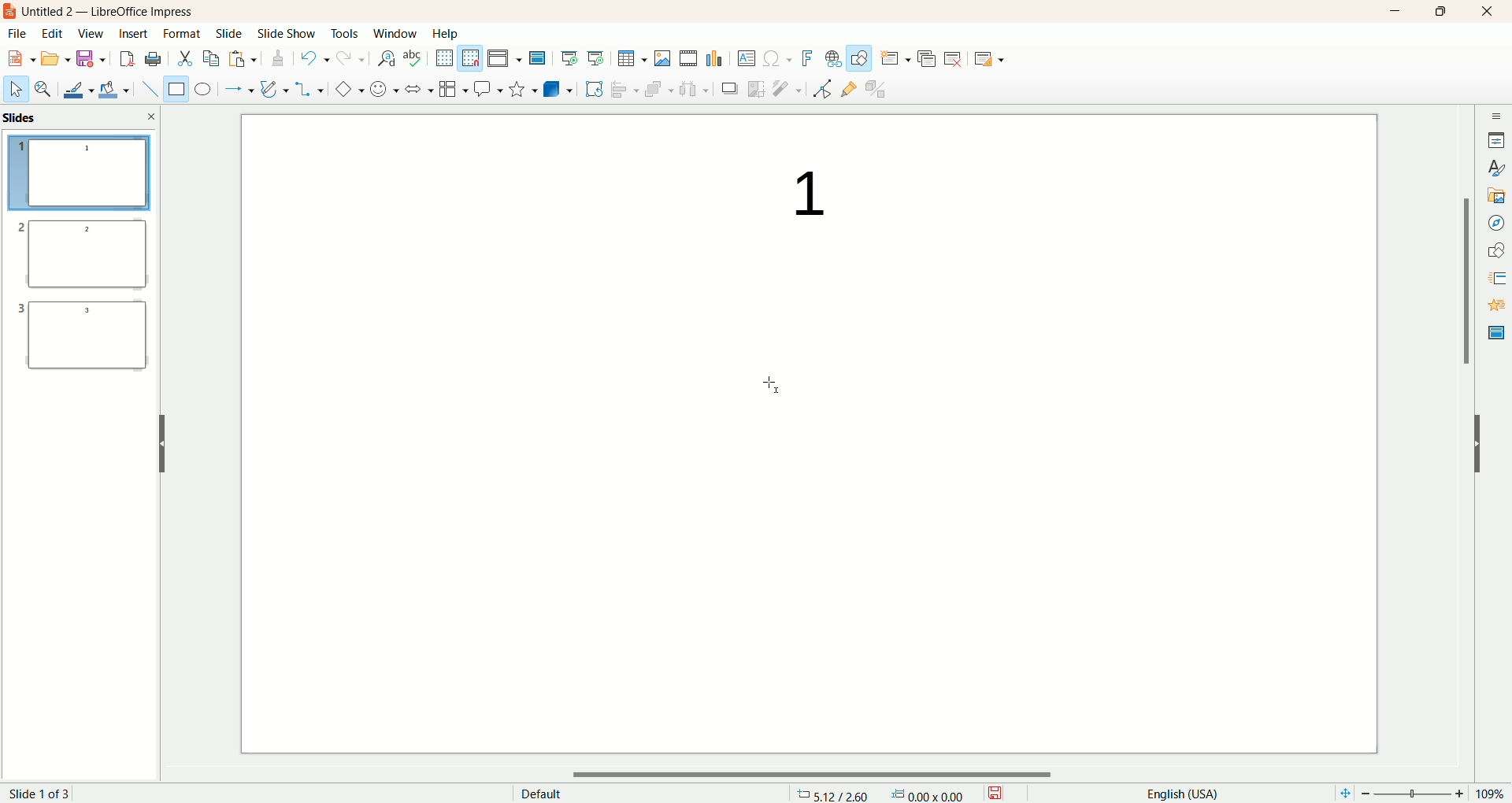 The image size is (1512, 803). I want to click on start from first slide, so click(570, 56).